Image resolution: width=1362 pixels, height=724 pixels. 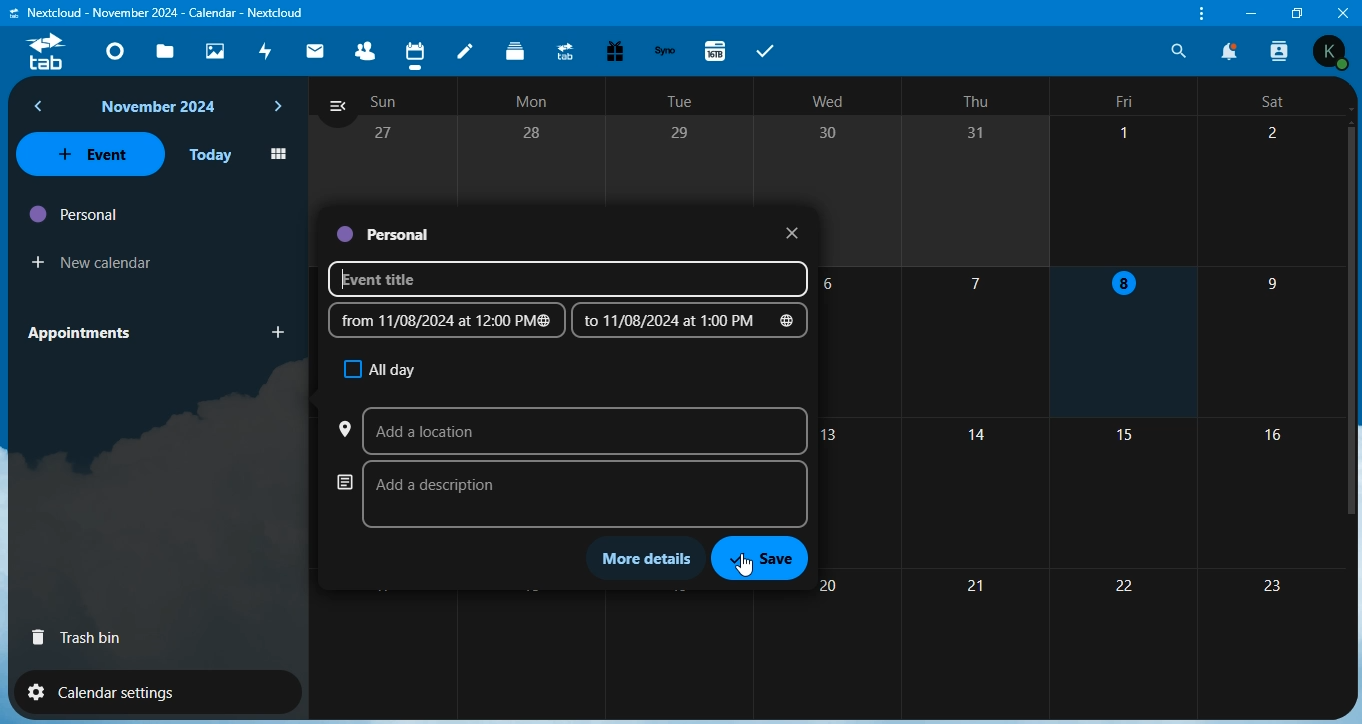 What do you see at coordinates (334, 104) in the screenshot?
I see `view` at bounding box center [334, 104].